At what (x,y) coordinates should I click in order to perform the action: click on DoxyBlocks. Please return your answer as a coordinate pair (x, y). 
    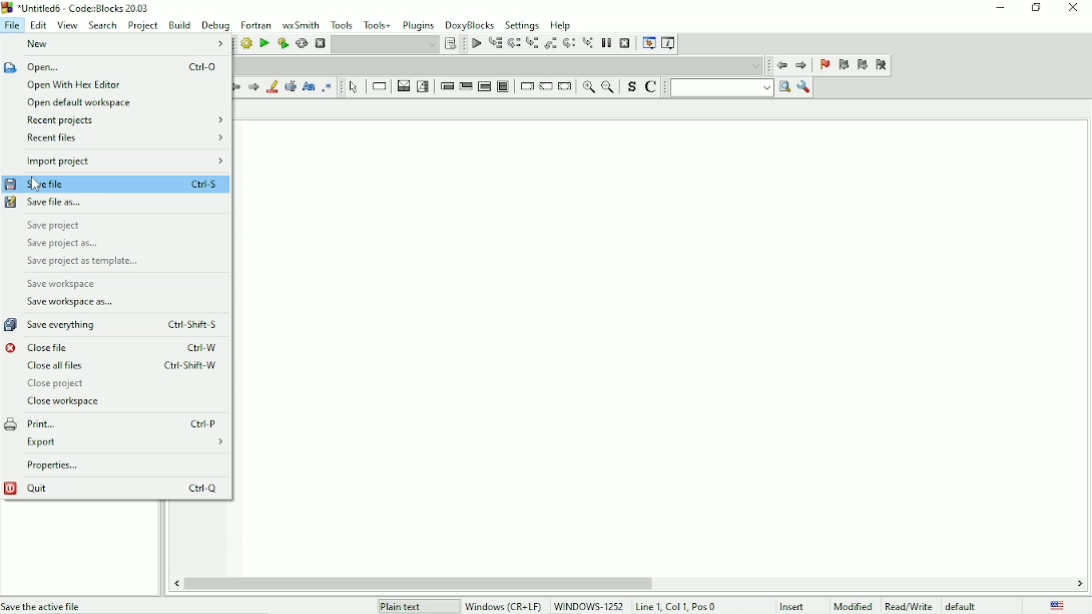
    Looking at the image, I should click on (471, 25).